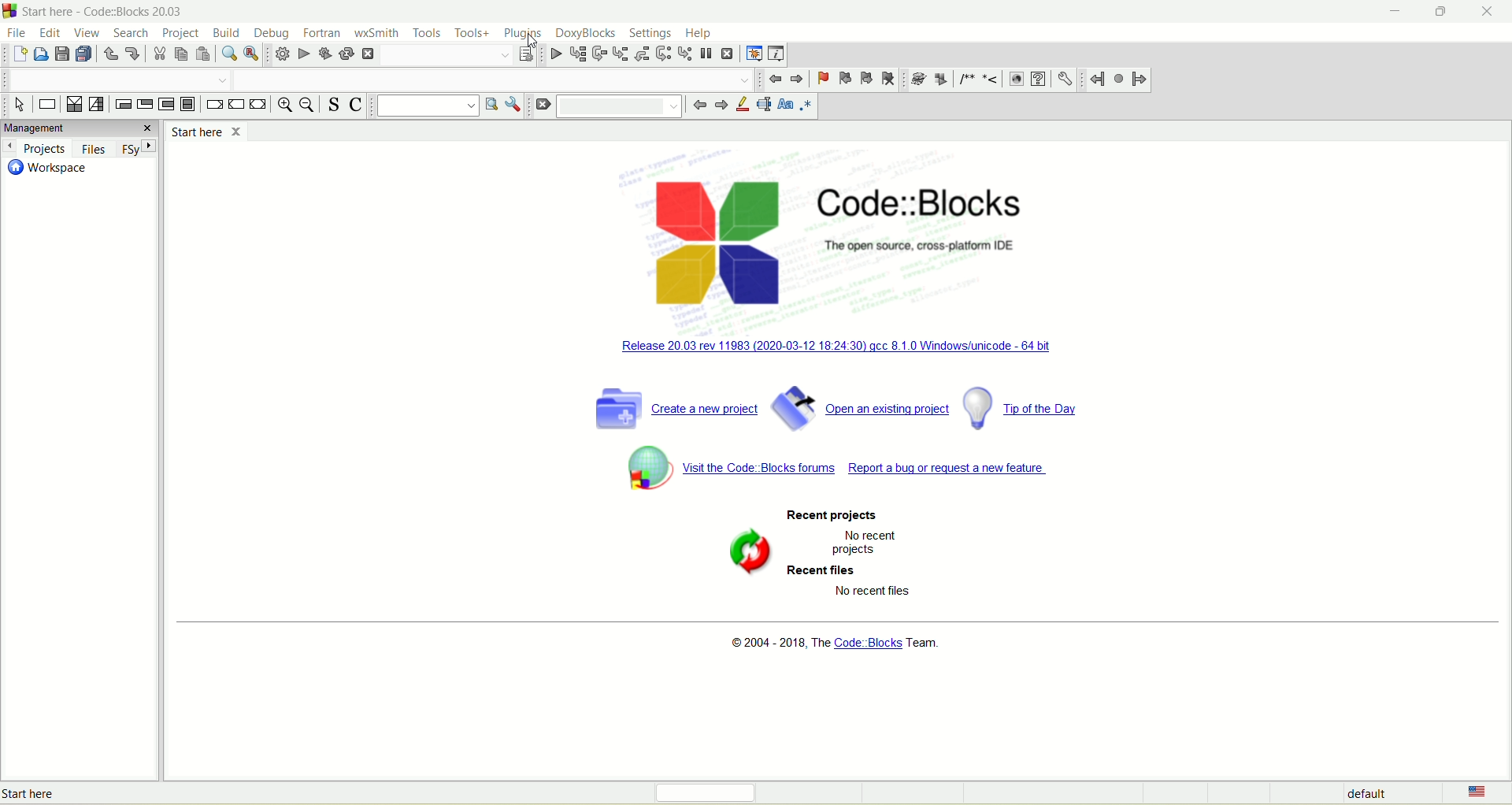 The height and width of the screenshot is (805, 1512). I want to click on code::block, so click(106, 11).